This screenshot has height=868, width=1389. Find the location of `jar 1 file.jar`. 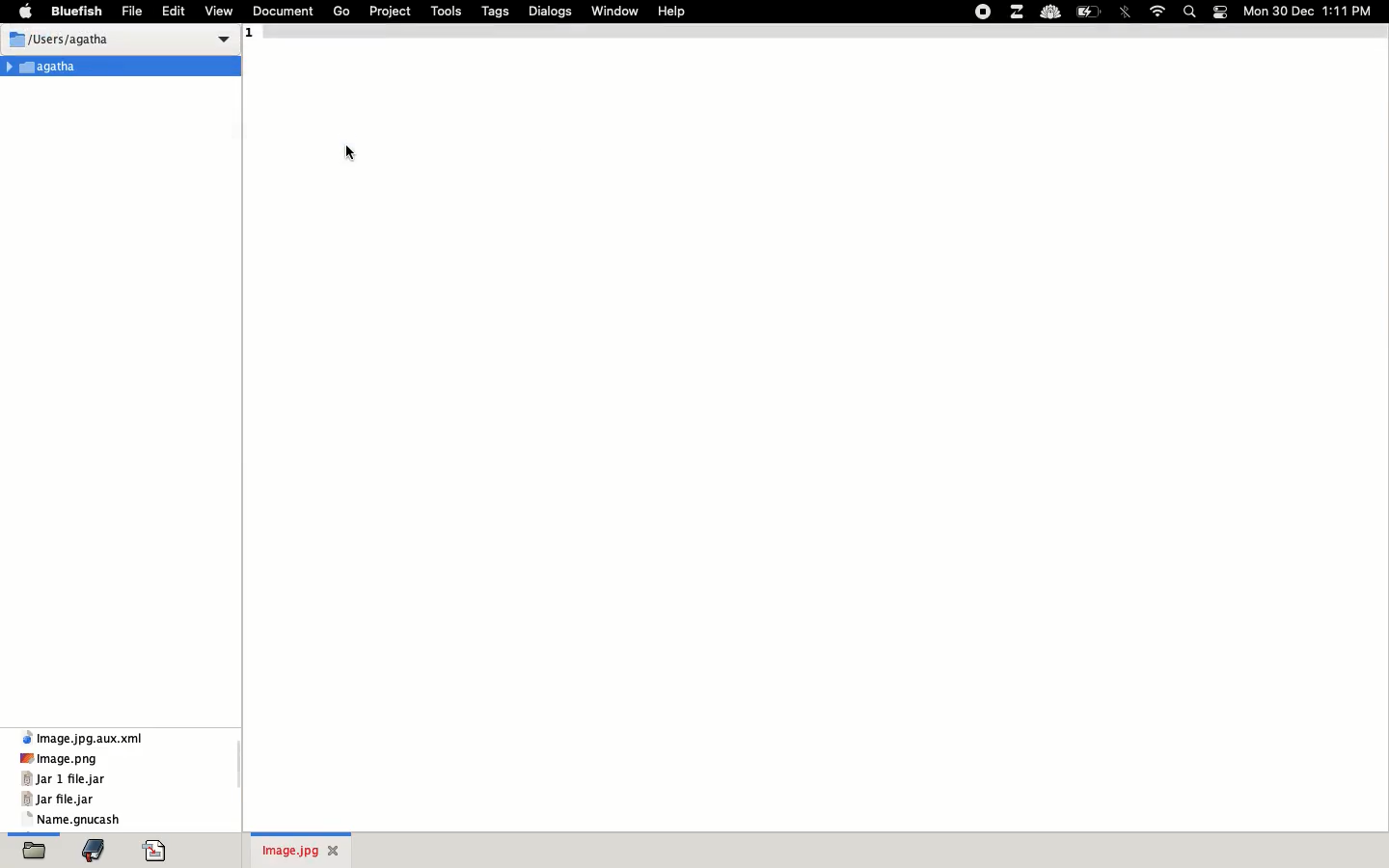

jar 1 file.jar is located at coordinates (64, 779).